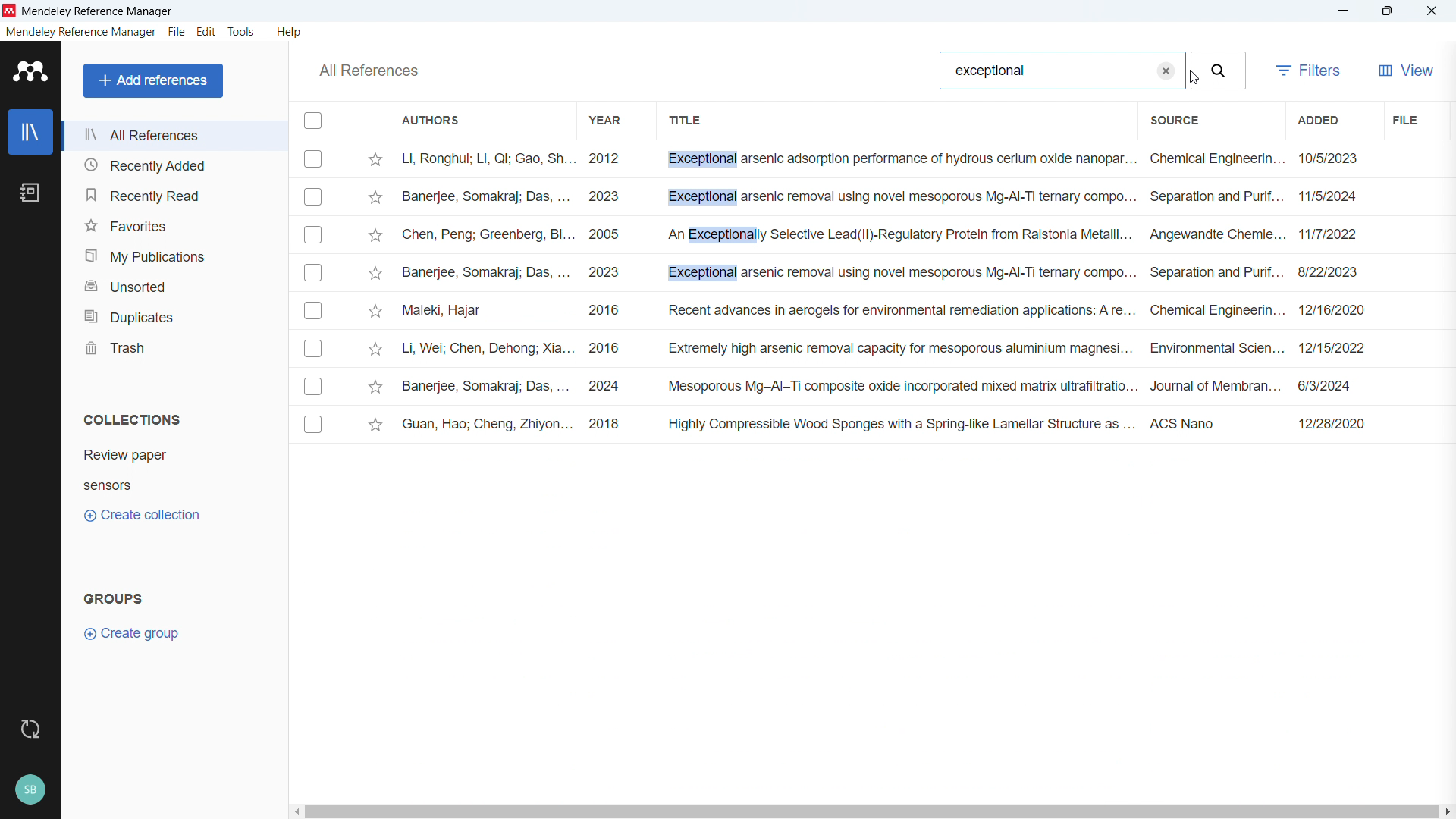 This screenshot has height=819, width=1456. I want to click on mendeley reference manager, so click(80, 32).